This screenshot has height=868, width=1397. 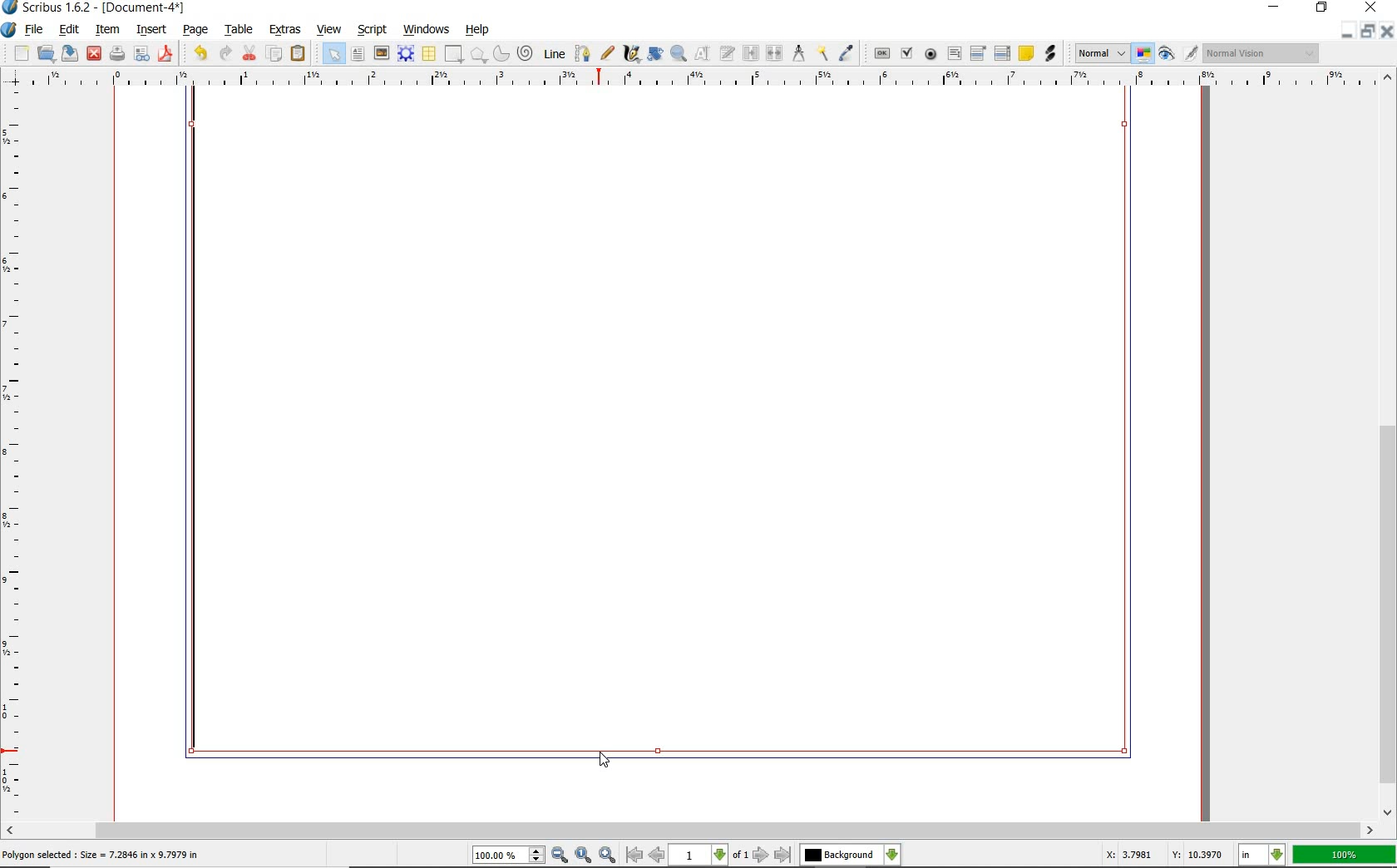 What do you see at coordinates (429, 54) in the screenshot?
I see `table` at bounding box center [429, 54].